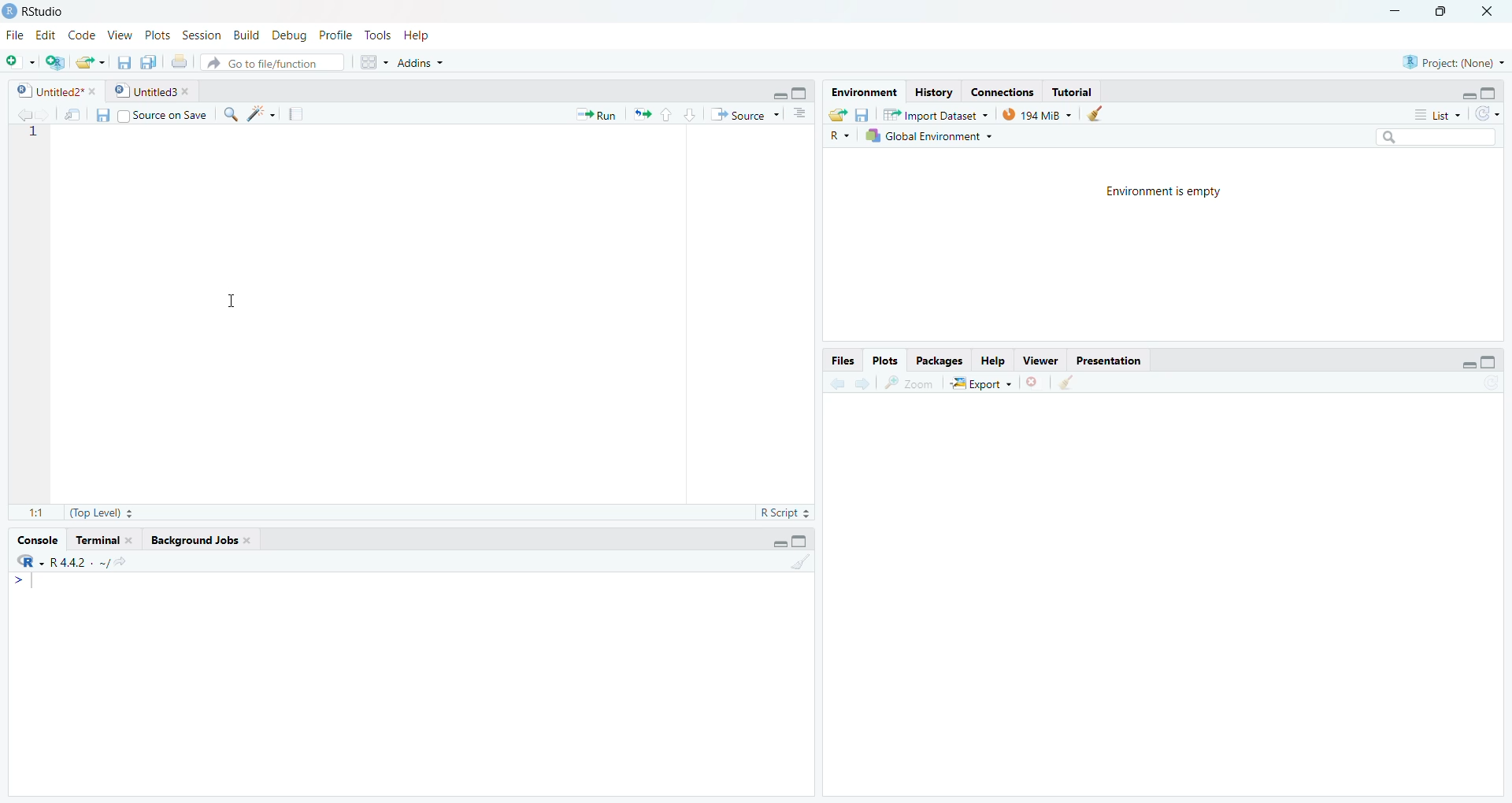 The height and width of the screenshot is (803, 1512). Describe the element at coordinates (155, 92) in the screenshot. I see `Untitled3` at that location.